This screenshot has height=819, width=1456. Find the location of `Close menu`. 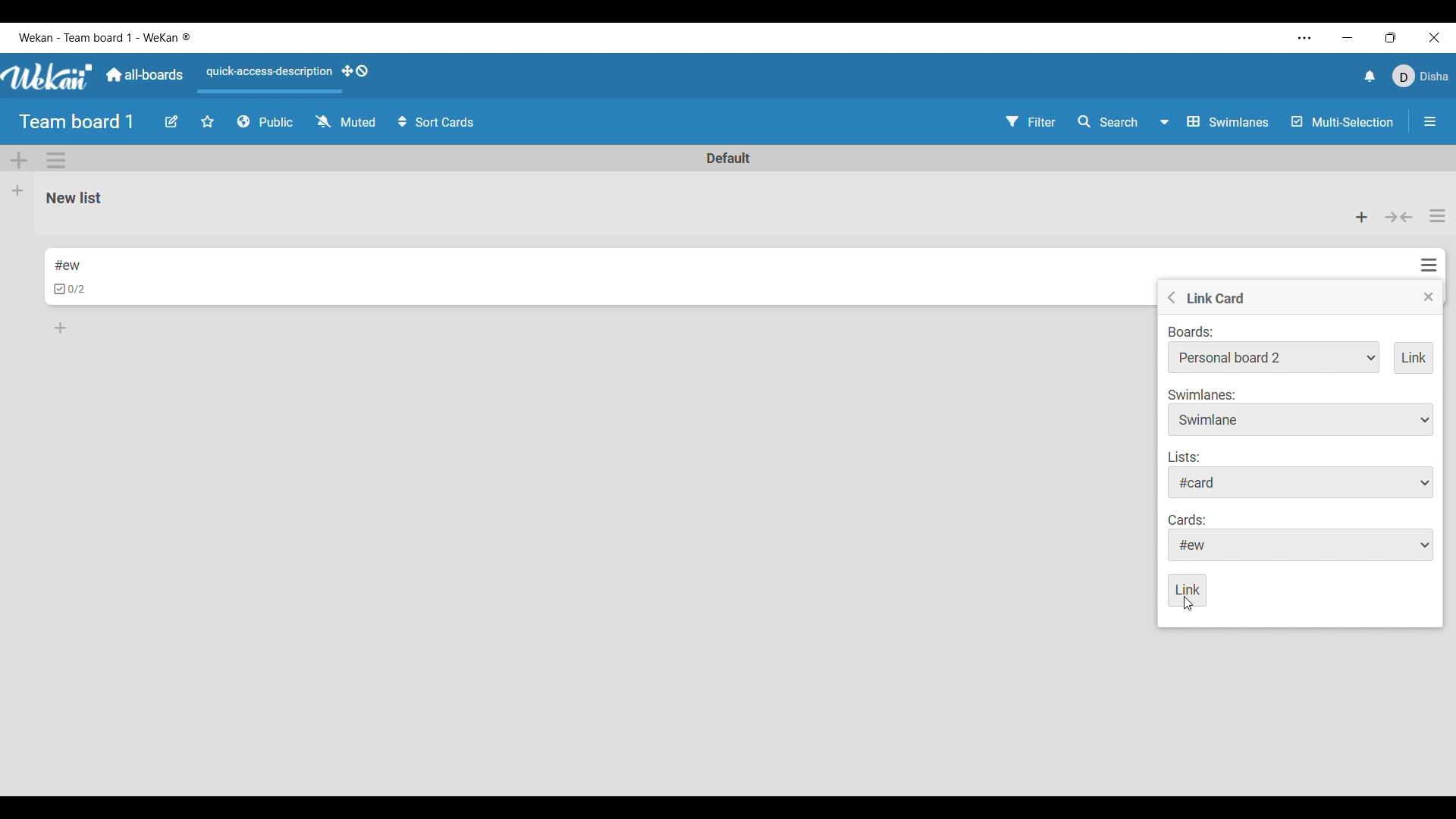

Close menu is located at coordinates (1429, 297).